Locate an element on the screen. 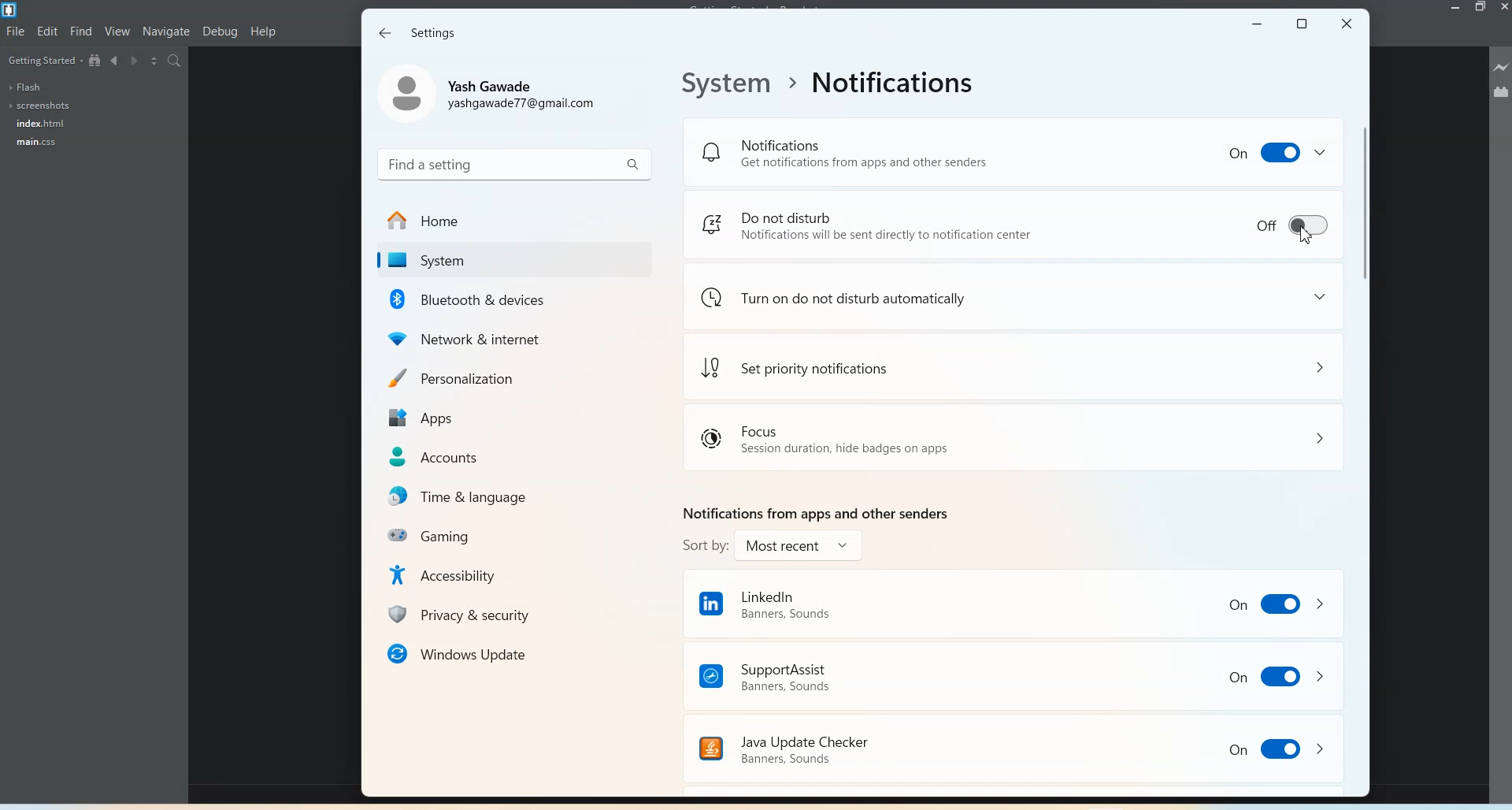 Image resolution: width=1512 pixels, height=810 pixels. Bluetooth & devices is located at coordinates (507, 299).